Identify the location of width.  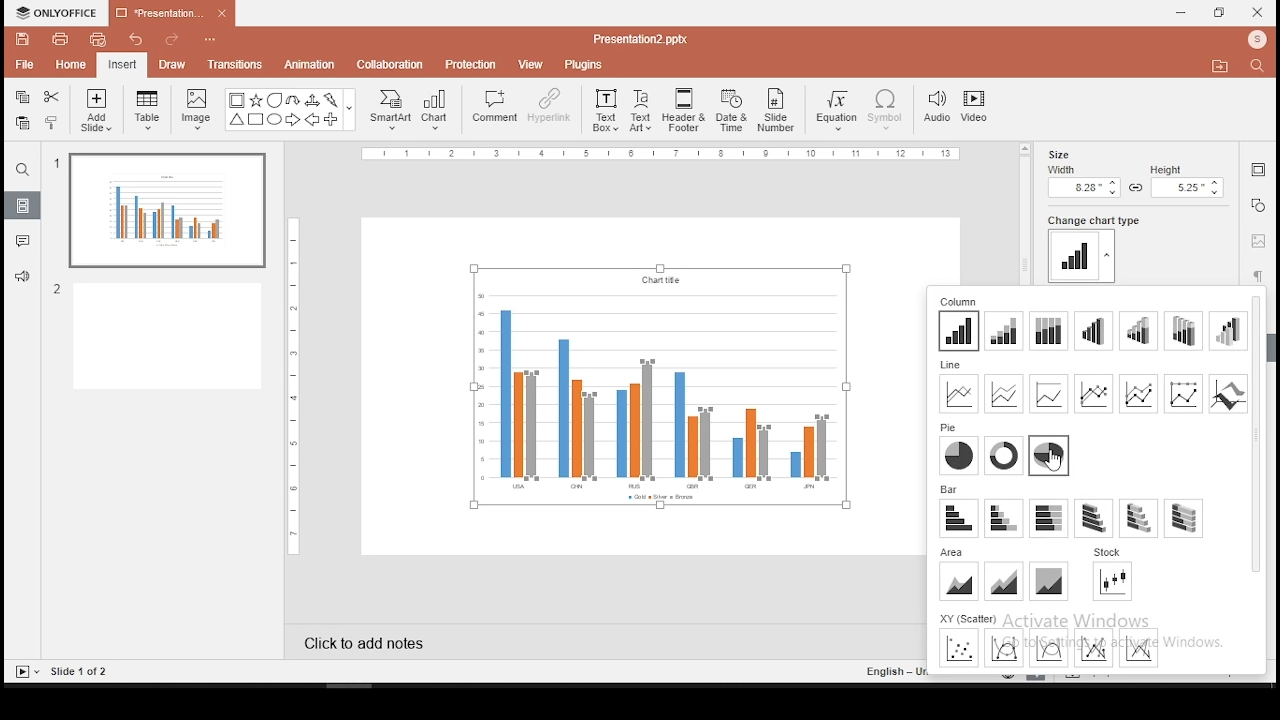
(1082, 181).